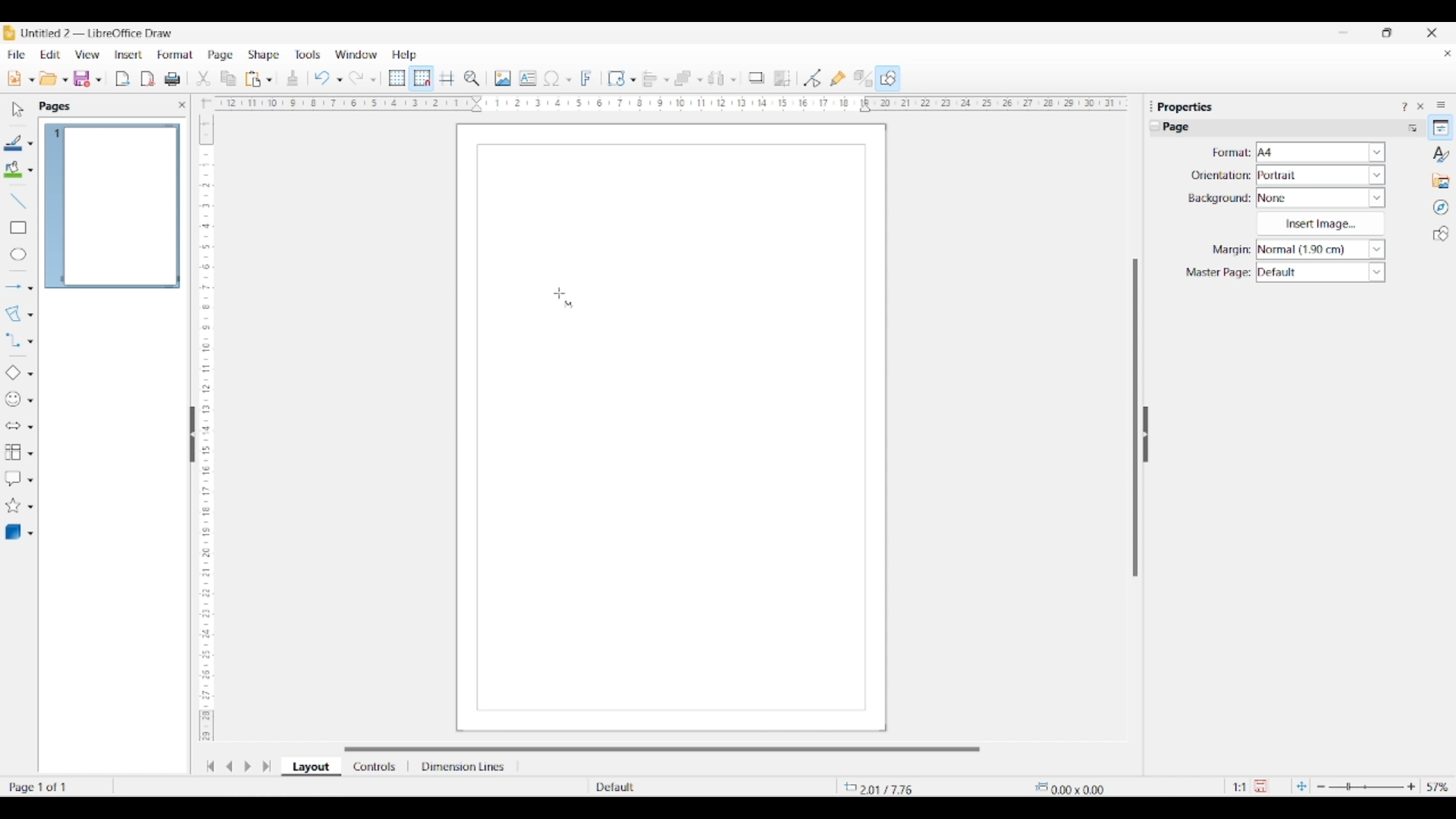 The image size is (1456, 819). Describe the element at coordinates (228, 79) in the screenshot. I see `Selected copy options` at that location.